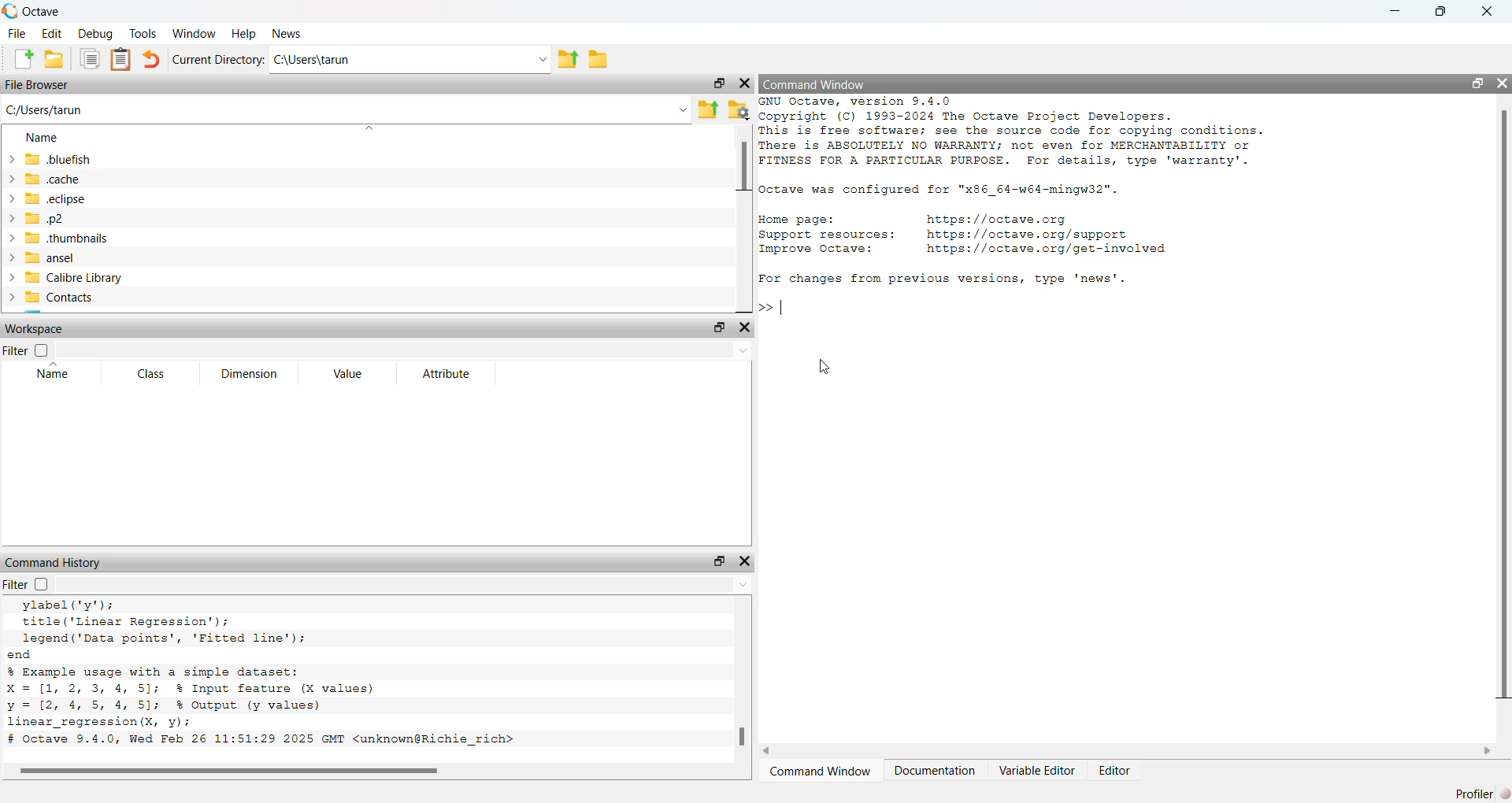 This screenshot has height=803, width=1512. Describe the element at coordinates (742, 735) in the screenshot. I see `scrollbar` at that location.